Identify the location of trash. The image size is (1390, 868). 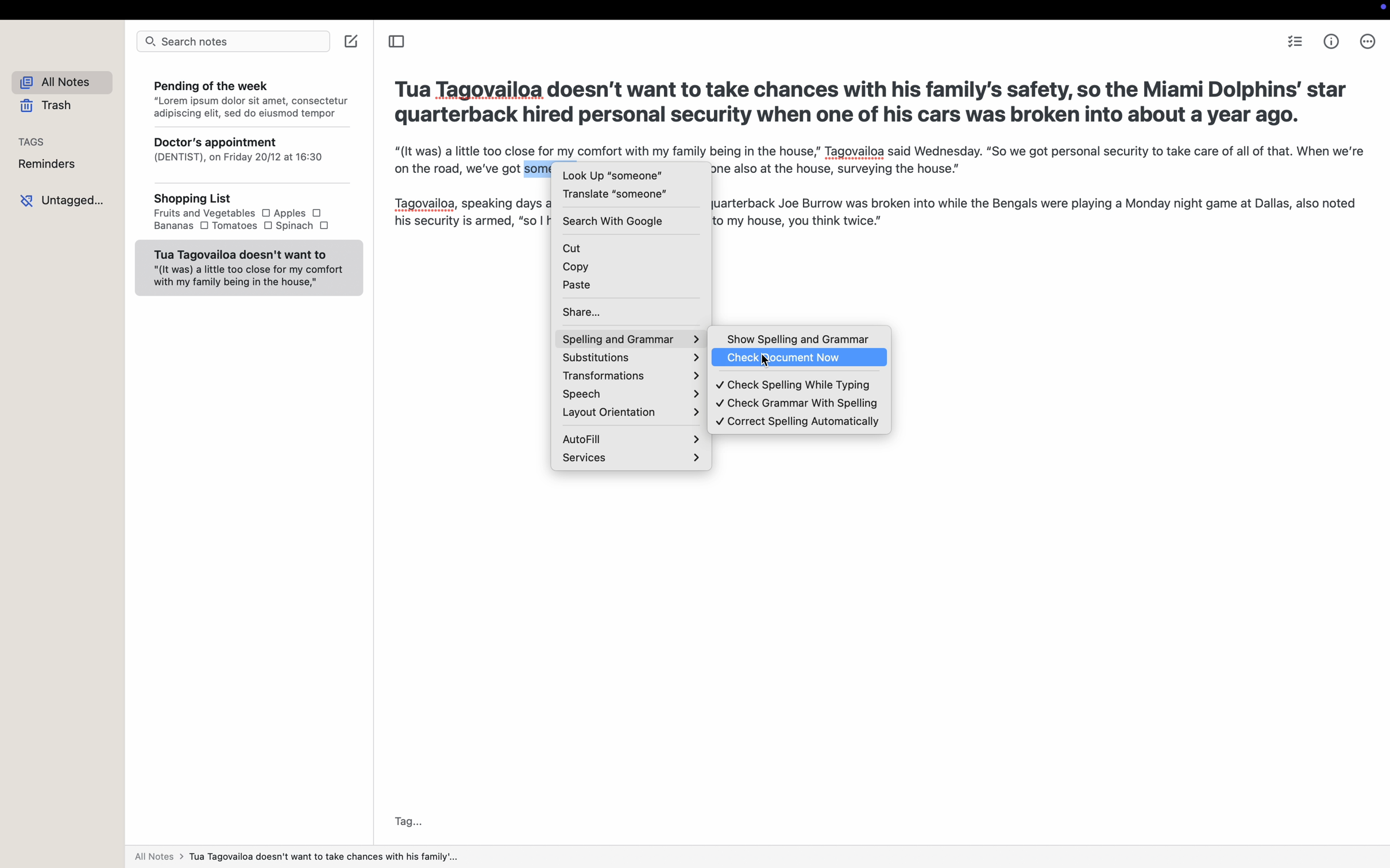
(46, 106).